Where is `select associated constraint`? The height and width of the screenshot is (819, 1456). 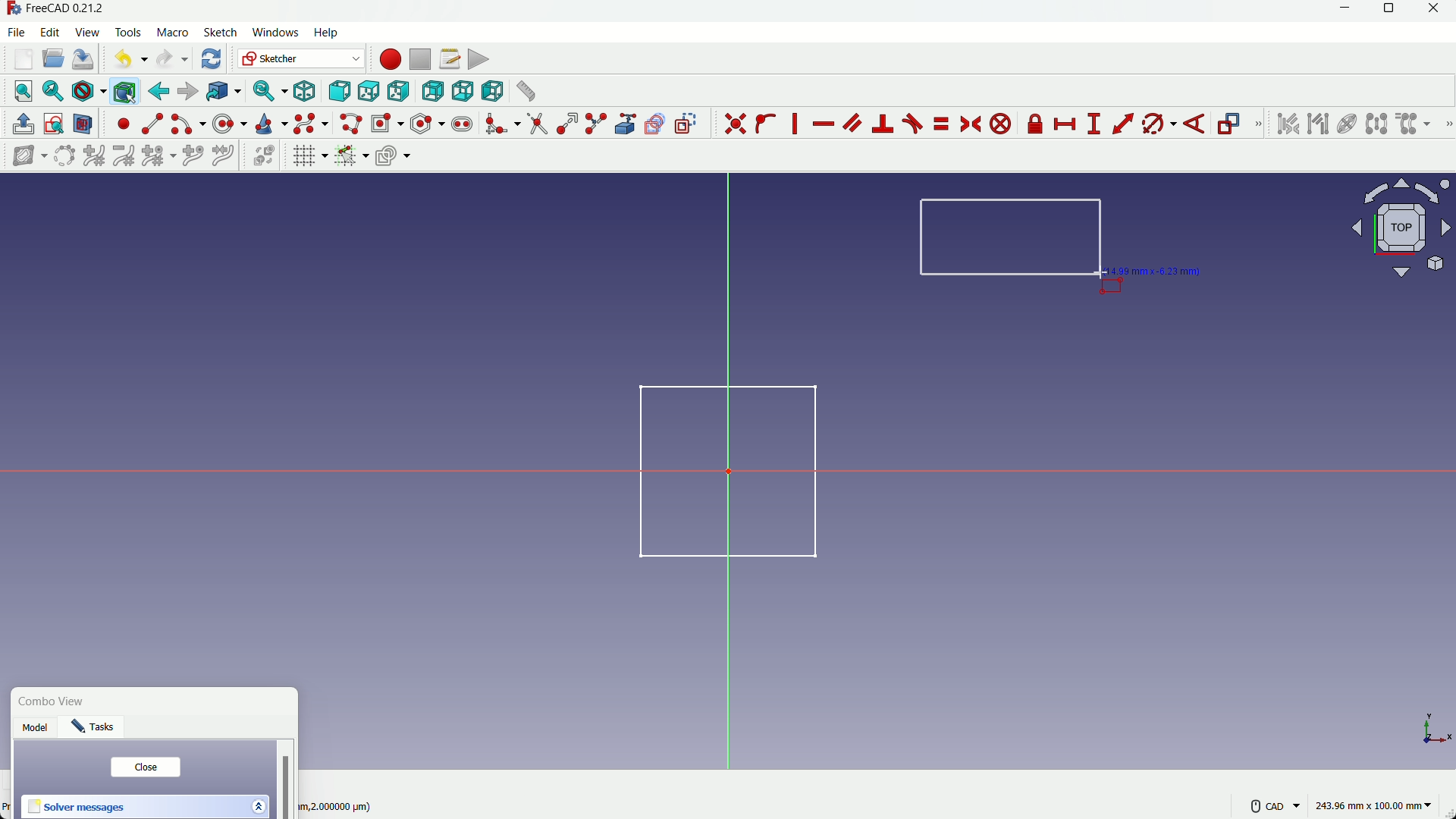 select associated constraint is located at coordinates (1287, 124).